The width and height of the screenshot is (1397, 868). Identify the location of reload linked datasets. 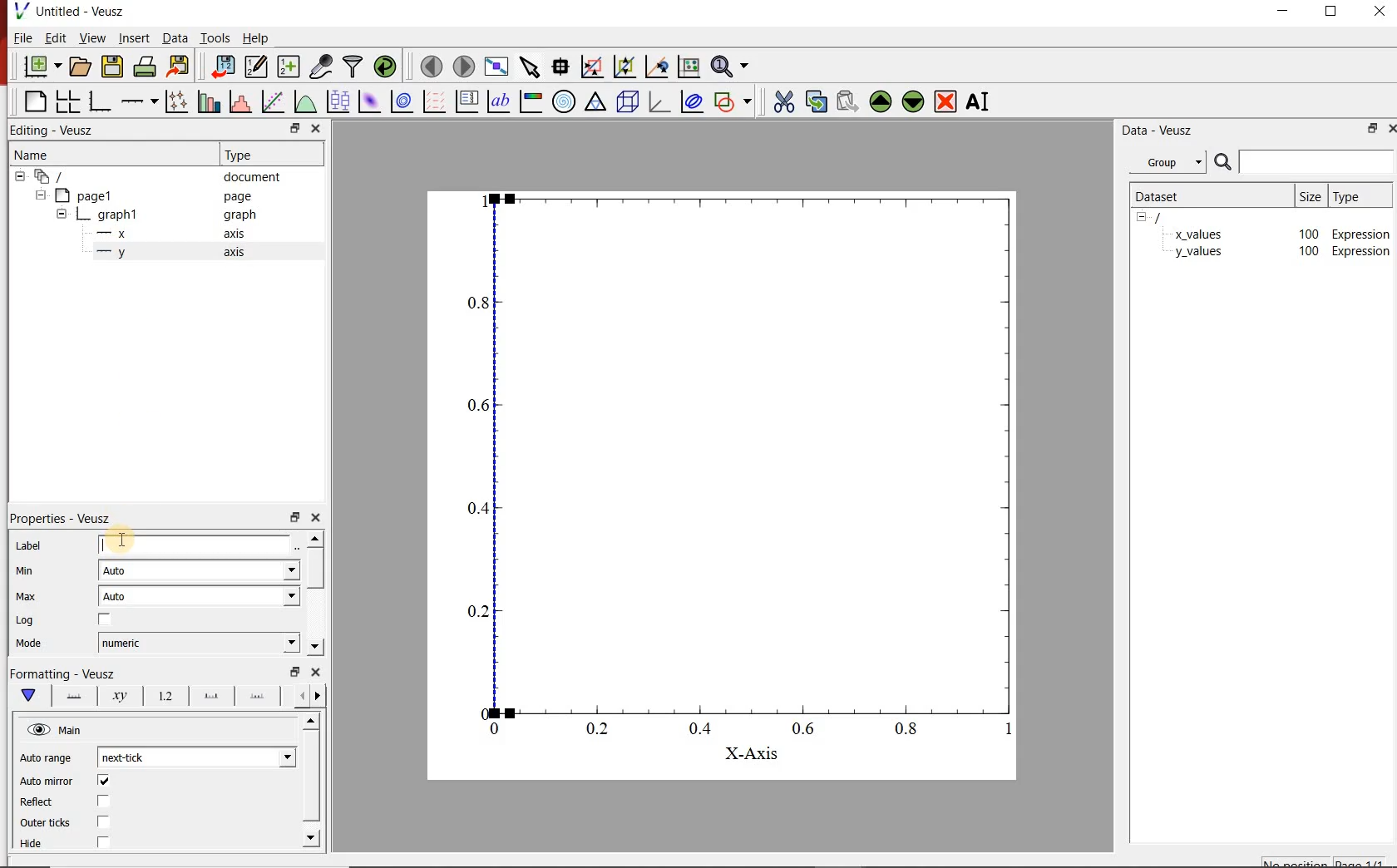
(383, 67).